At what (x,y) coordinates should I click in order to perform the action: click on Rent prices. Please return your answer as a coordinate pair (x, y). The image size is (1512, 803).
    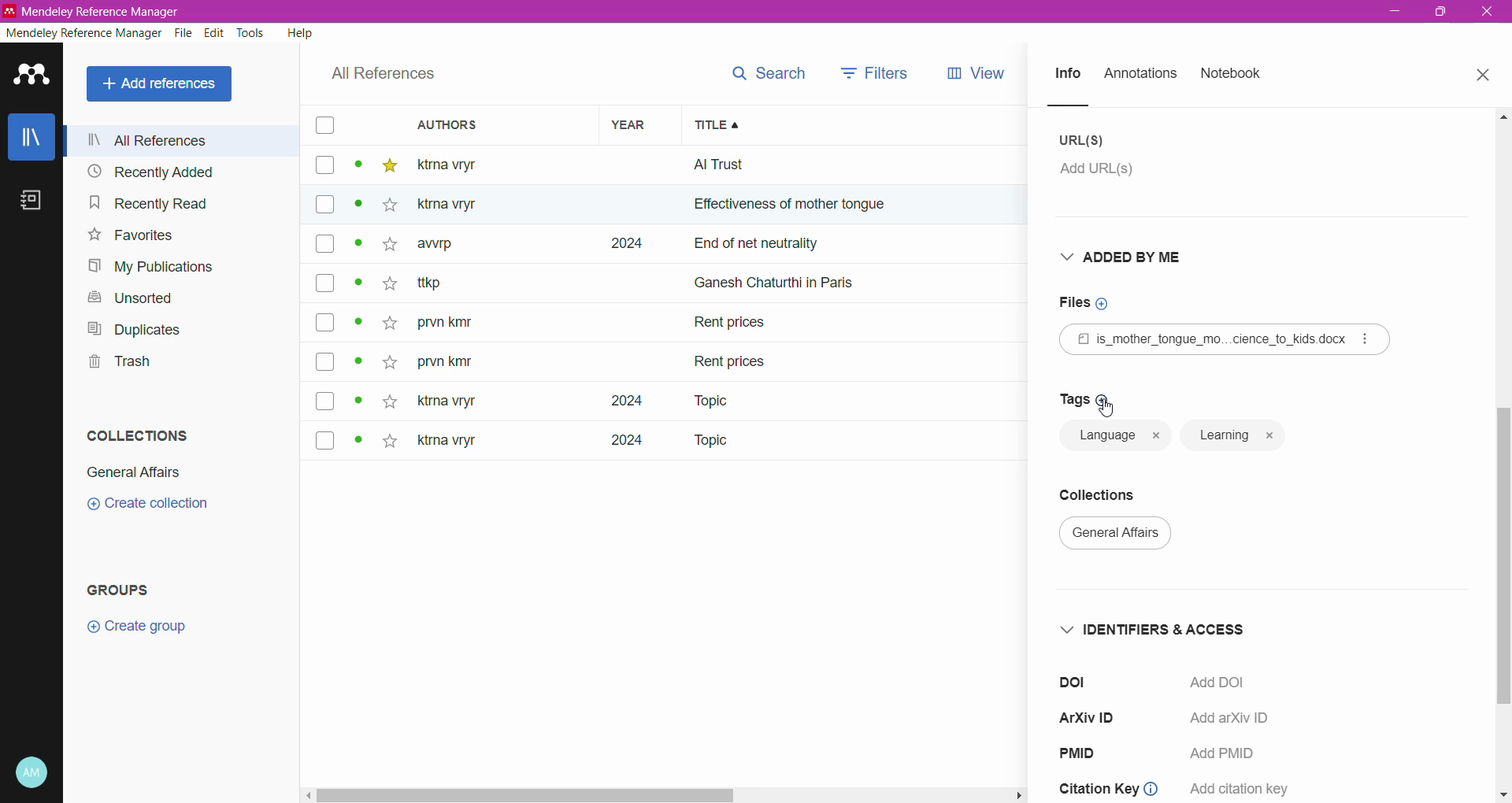
    Looking at the image, I should click on (732, 325).